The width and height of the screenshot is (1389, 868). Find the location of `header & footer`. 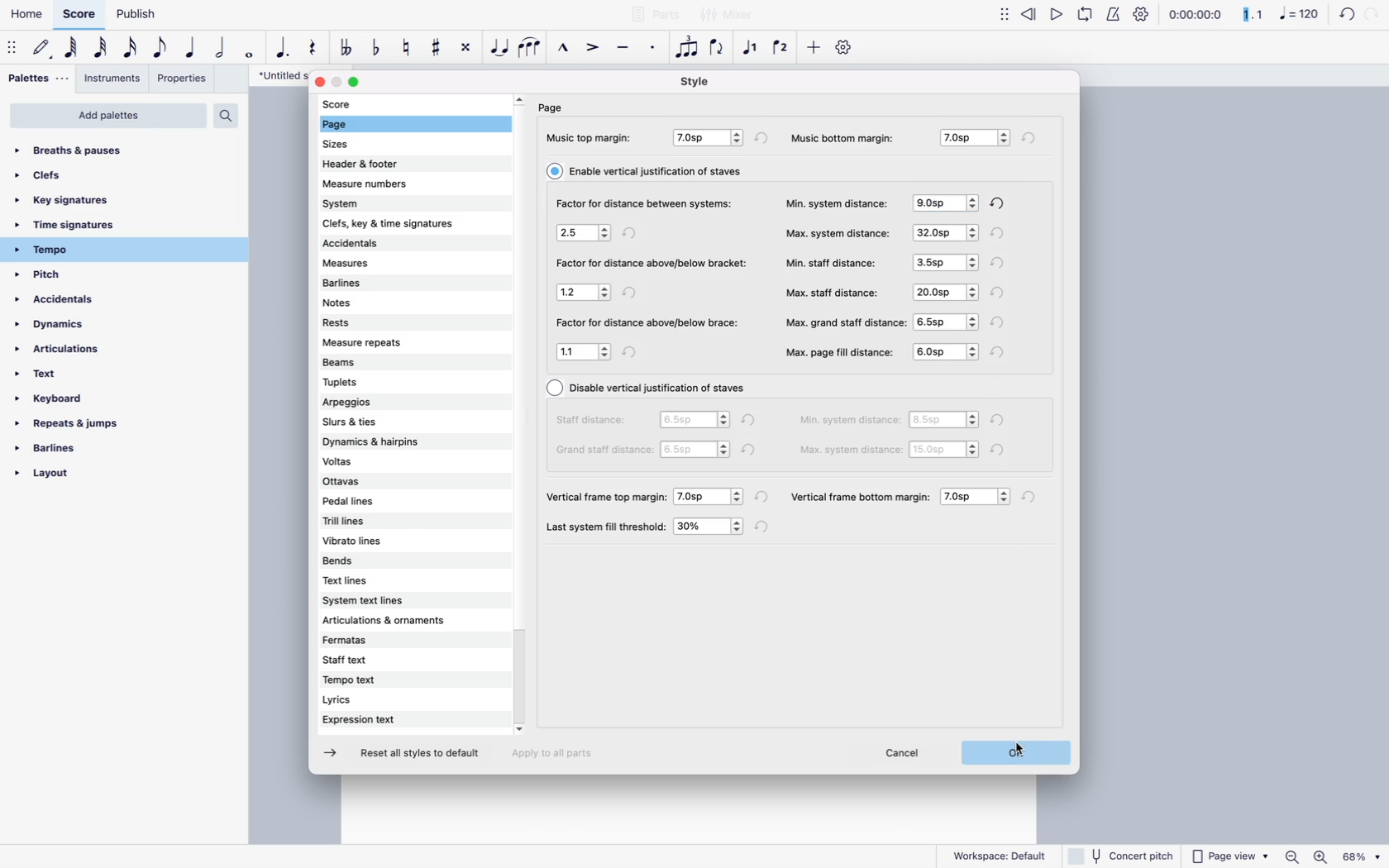

header & footer is located at coordinates (370, 164).